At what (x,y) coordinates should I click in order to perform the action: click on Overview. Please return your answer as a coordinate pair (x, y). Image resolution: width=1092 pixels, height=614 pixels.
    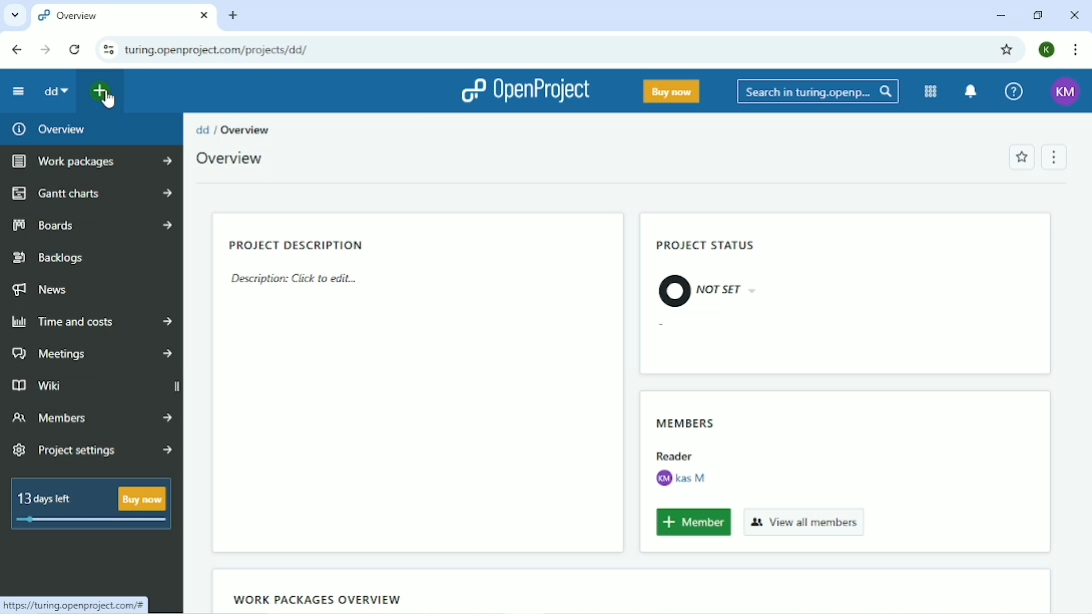
    Looking at the image, I should click on (51, 129).